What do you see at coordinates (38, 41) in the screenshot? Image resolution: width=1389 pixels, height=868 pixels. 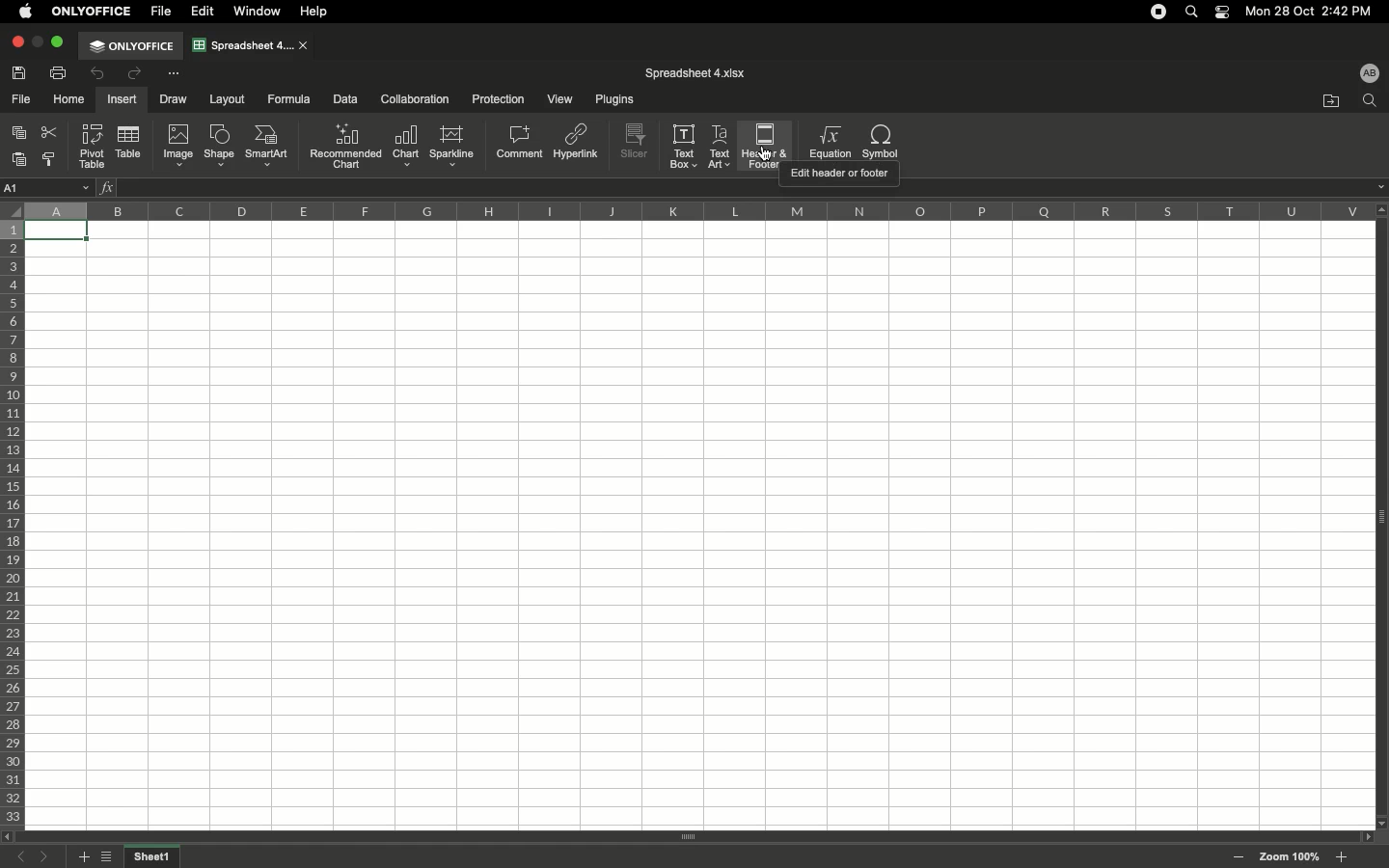 I see `minimize` at bounding box center [38, 41].